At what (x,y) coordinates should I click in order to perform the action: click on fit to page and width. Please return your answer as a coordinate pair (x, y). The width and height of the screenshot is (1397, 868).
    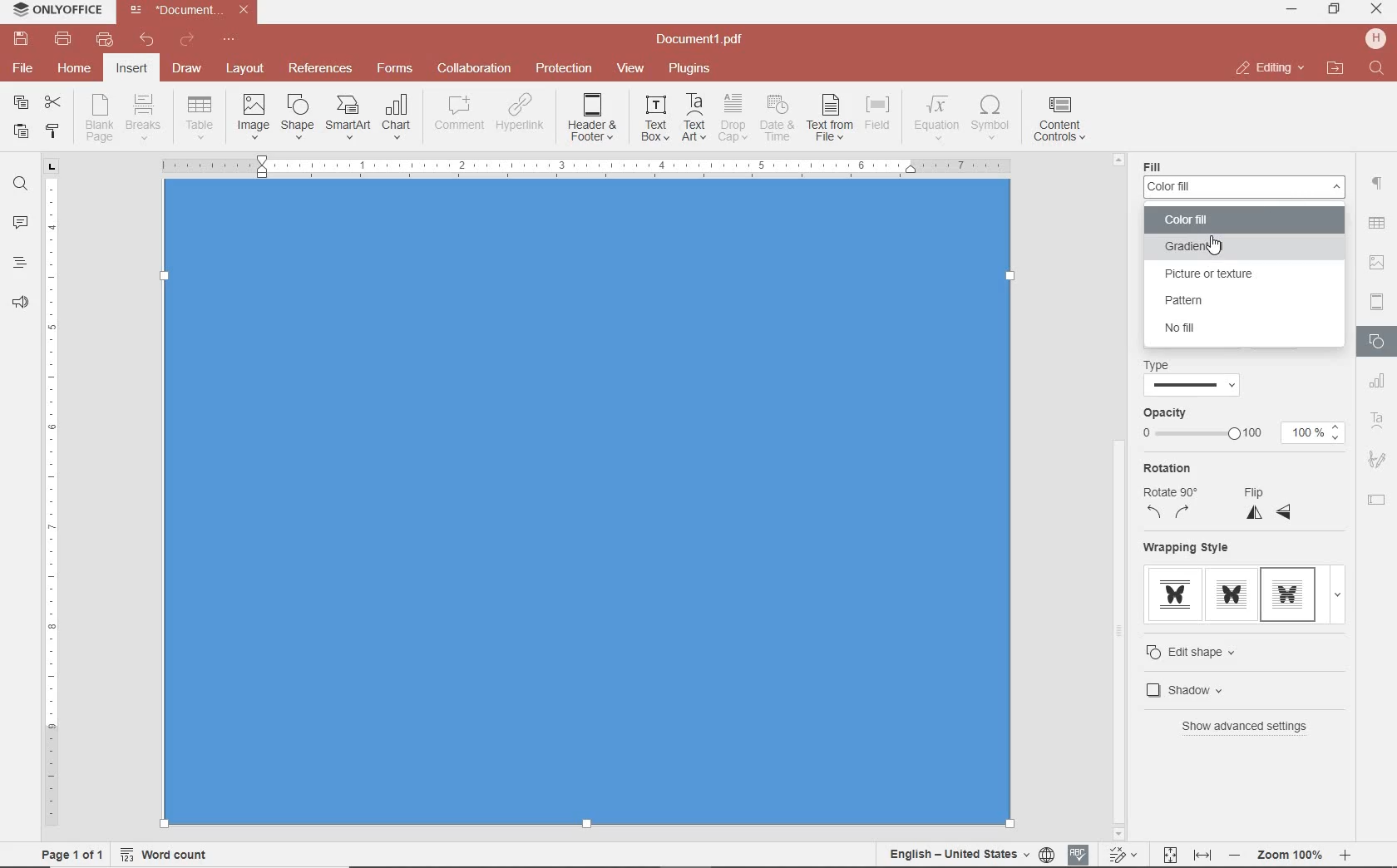
    Looking at the image, I should click on (1184, 856).